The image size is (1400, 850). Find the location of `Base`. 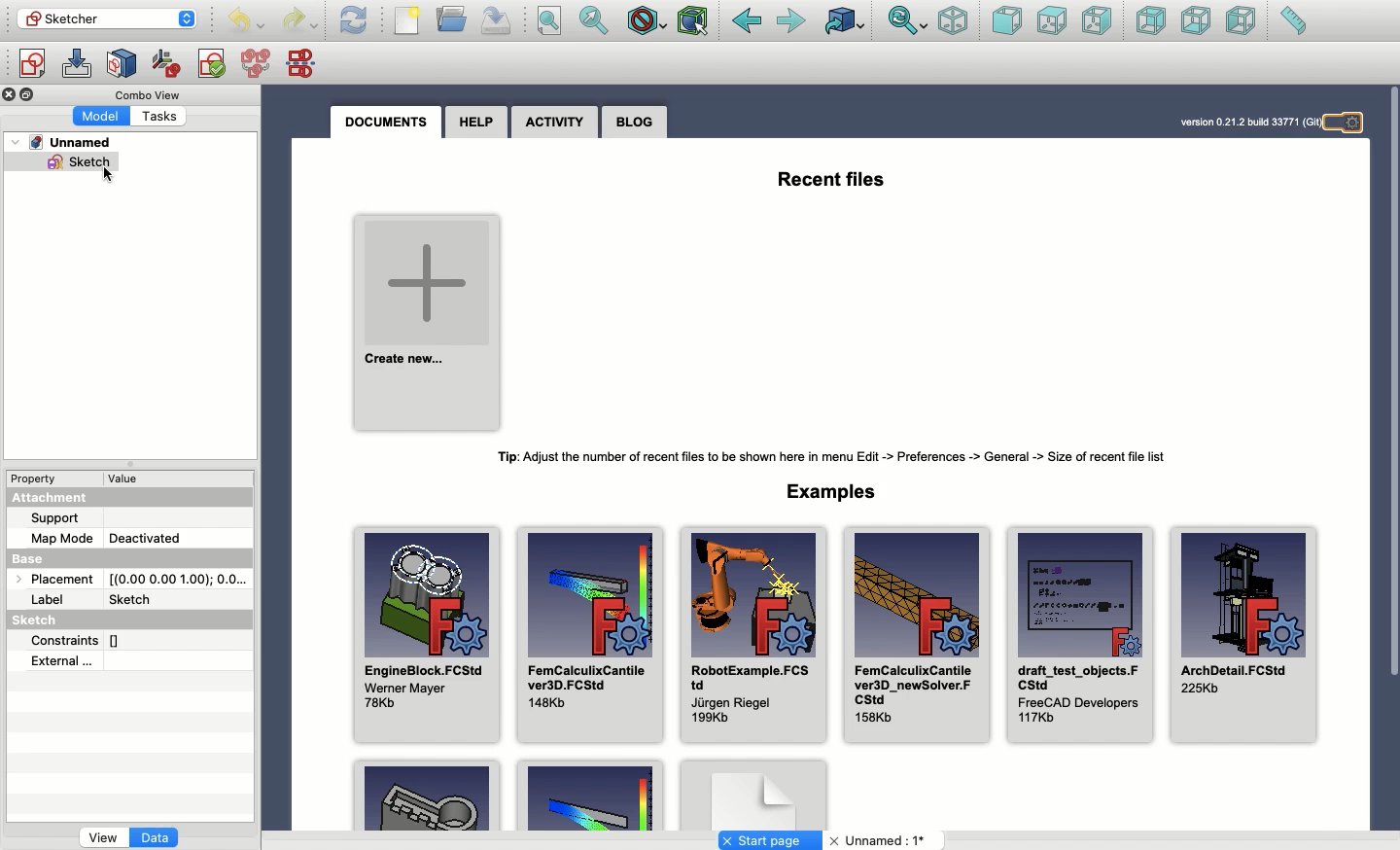

Base is located at coordinates (47, 555).